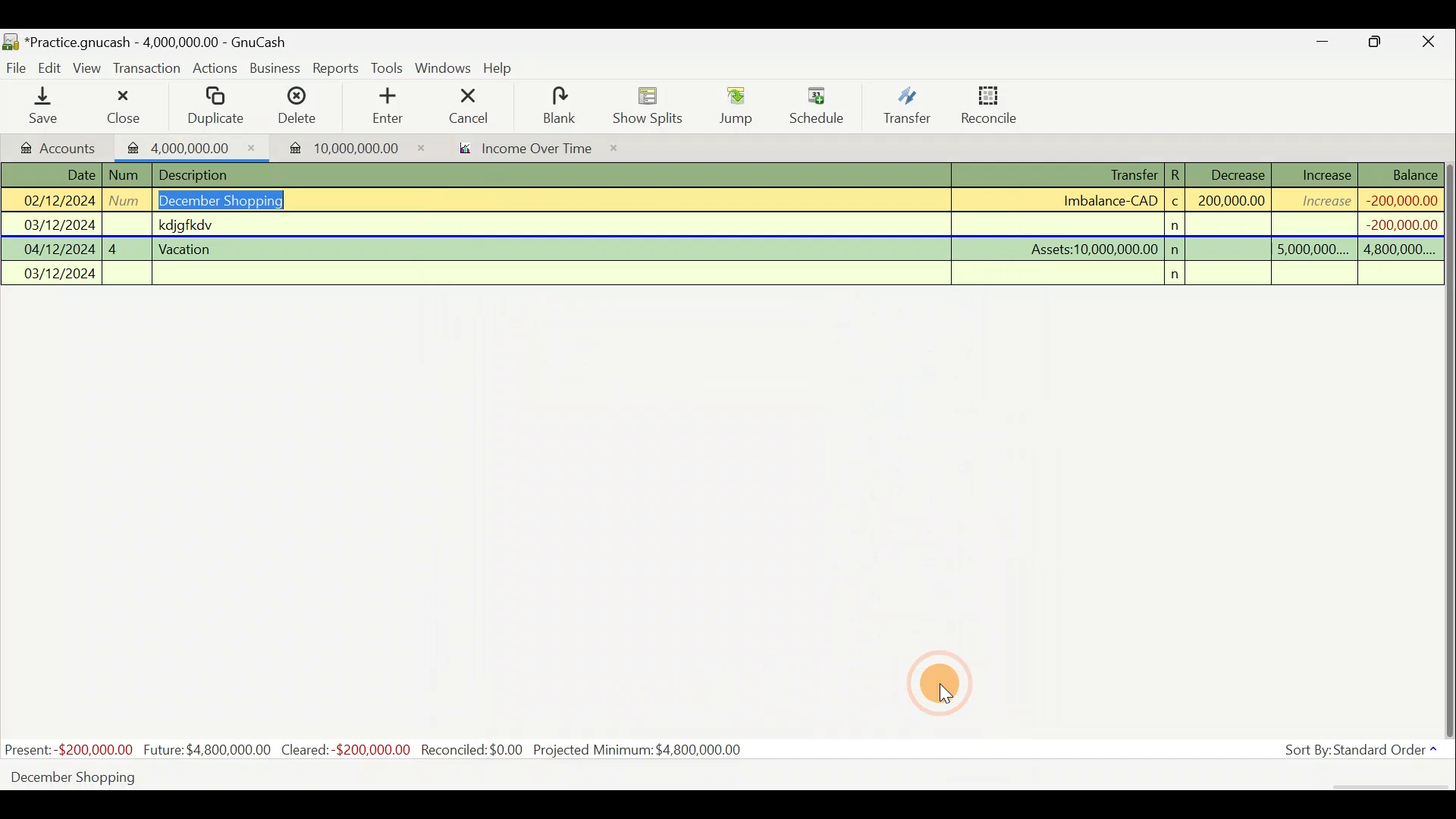 This screenshot has height=819, width=1456. I want to click on Close, so click(1429, 44).